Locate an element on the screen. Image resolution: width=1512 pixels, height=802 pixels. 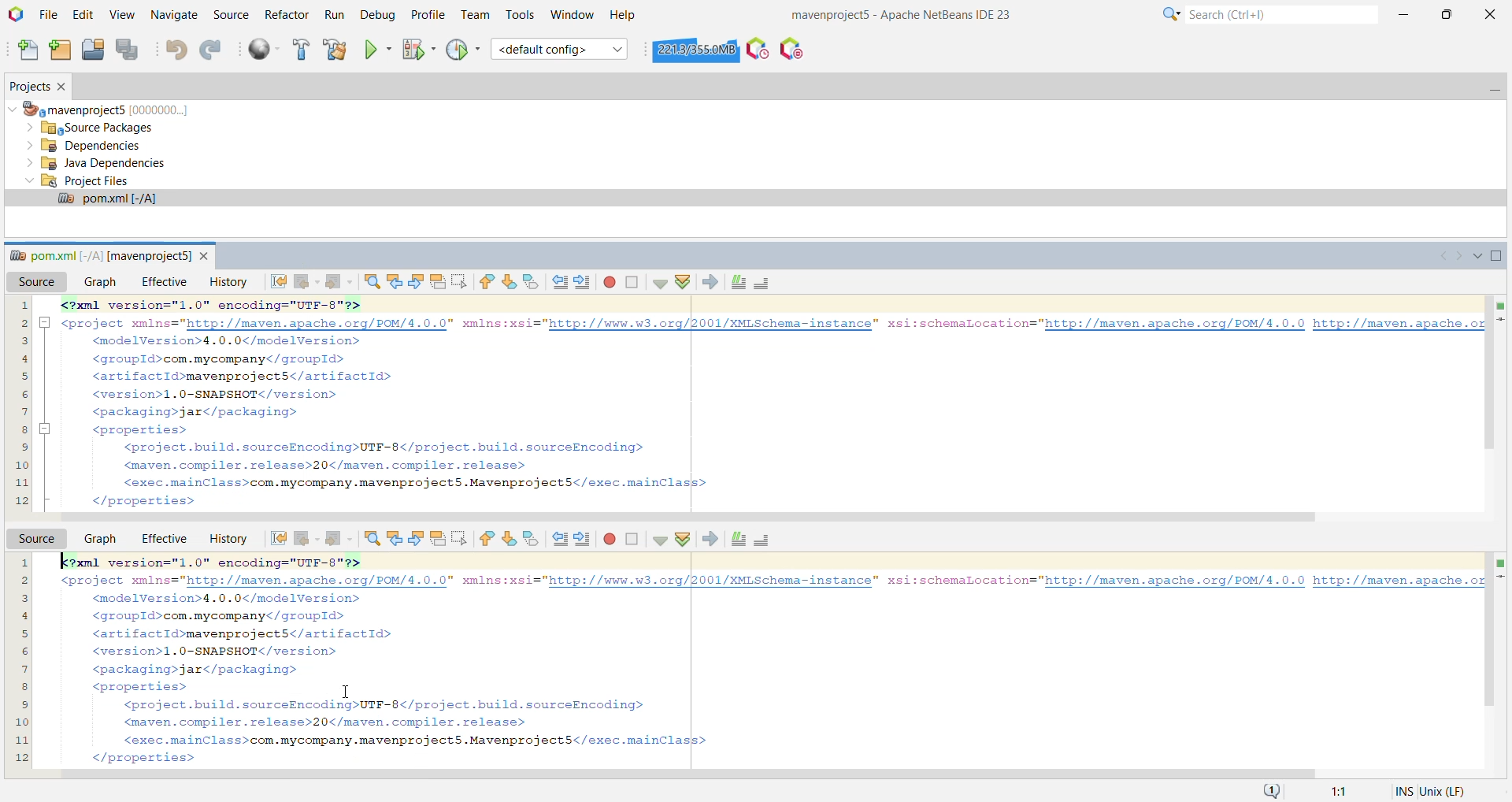
11 is located at coordinates (22, 481).